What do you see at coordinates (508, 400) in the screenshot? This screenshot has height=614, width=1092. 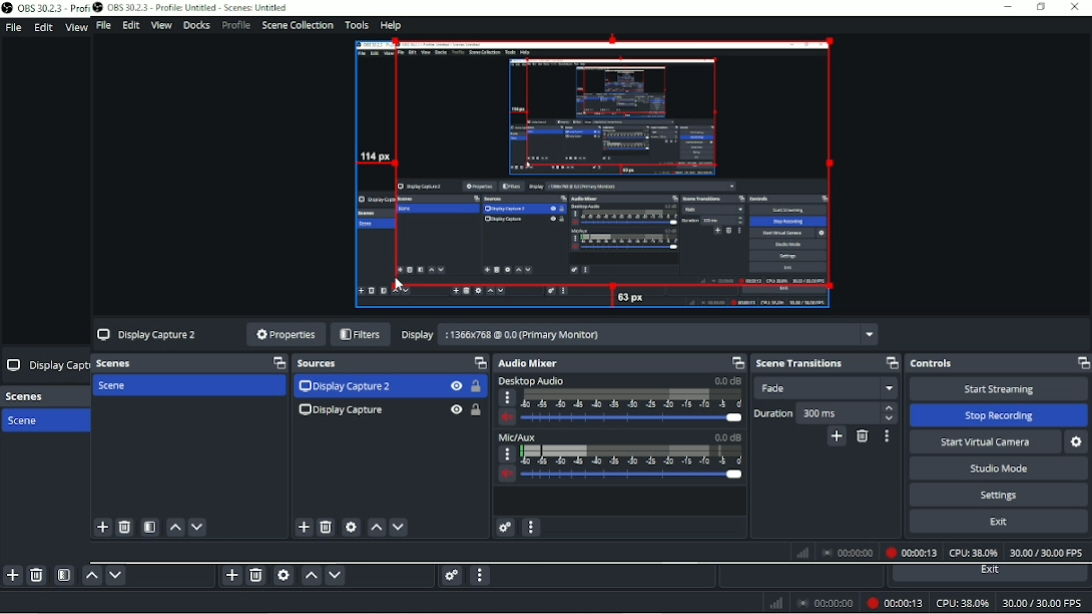 I see `more options` at bounding box center [508, 400].